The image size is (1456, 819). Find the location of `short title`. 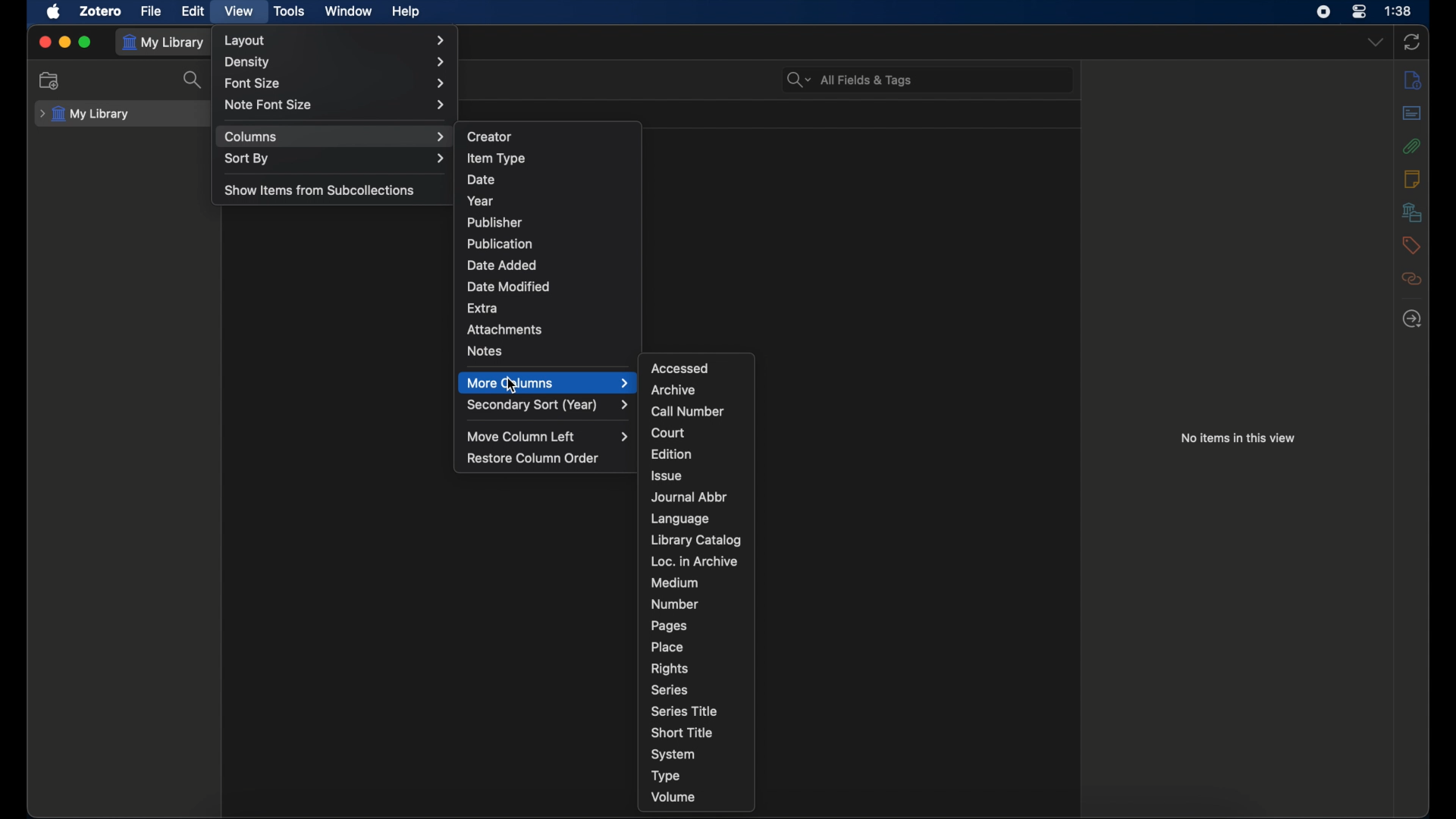

short title is located at coordinates (682, 733).